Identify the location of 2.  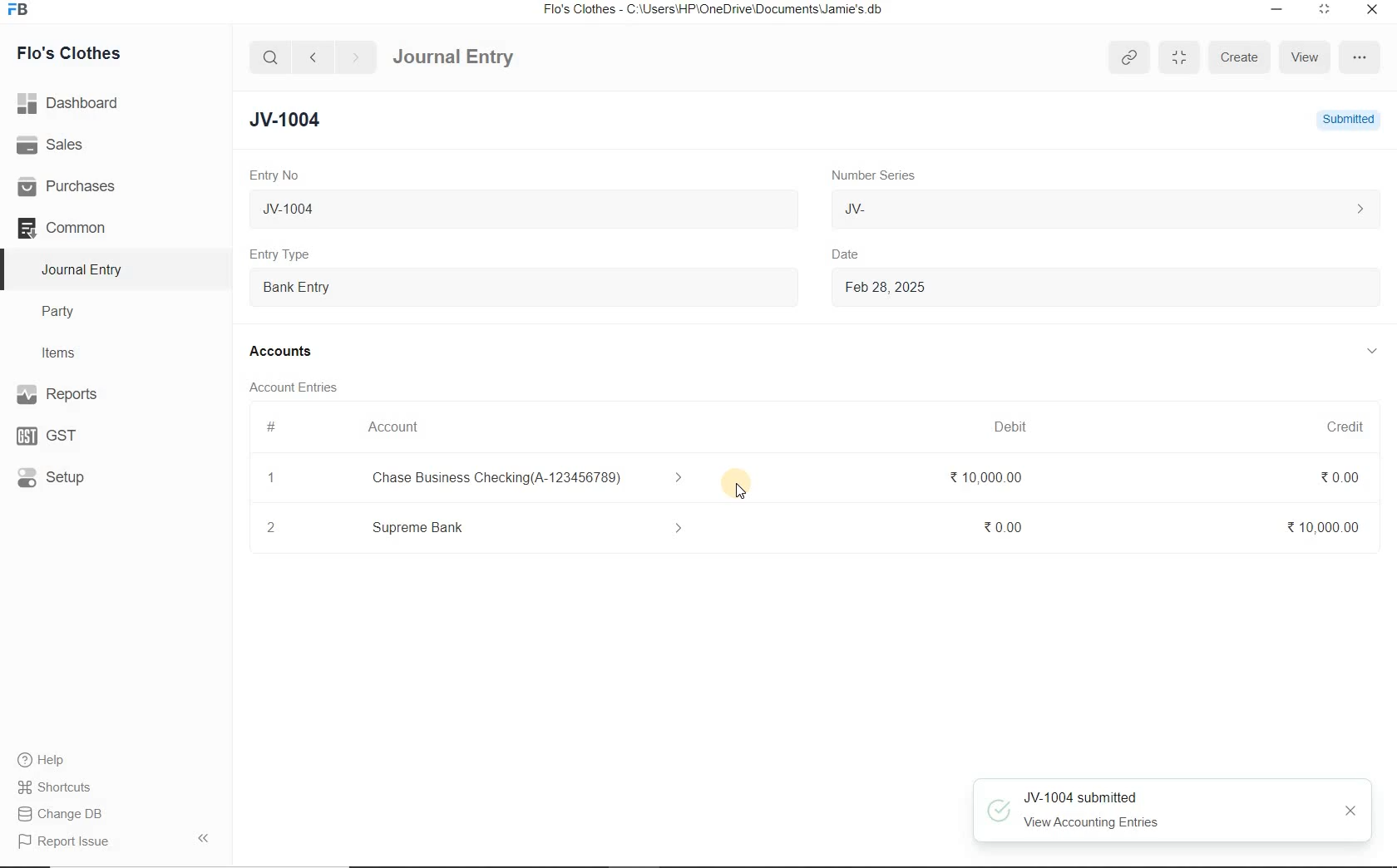
(274, 527).